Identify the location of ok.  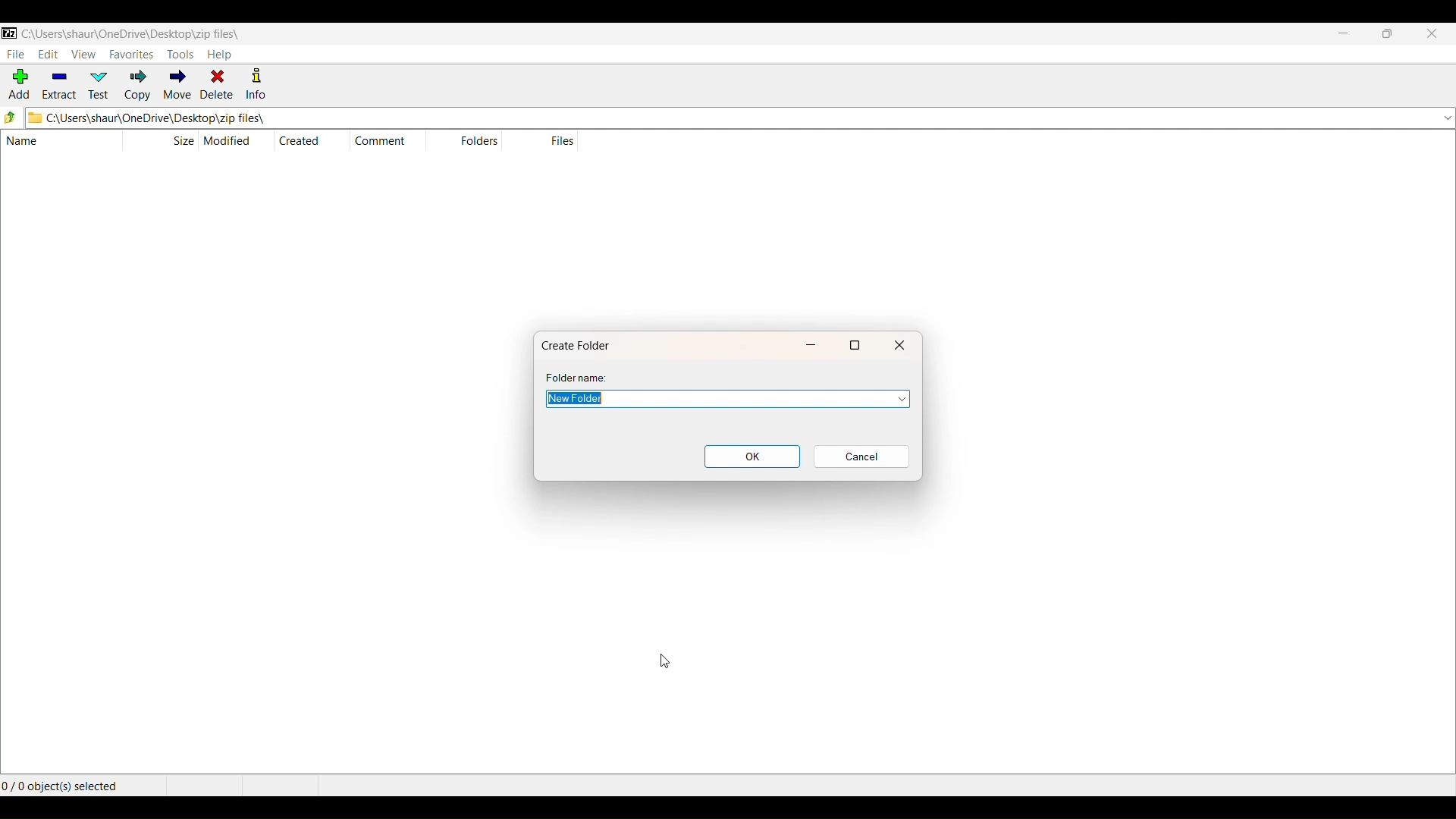
(752, 457).